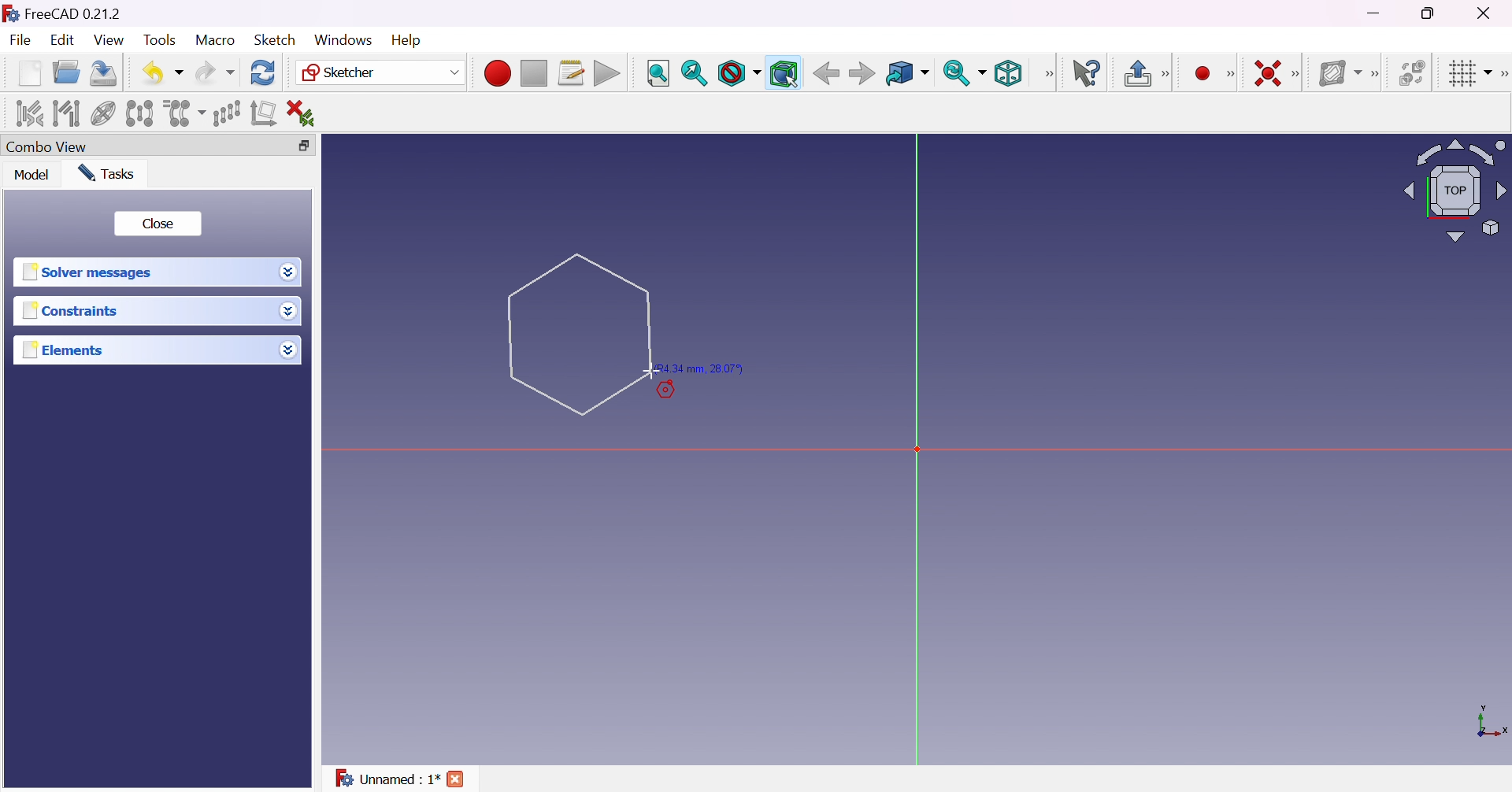  I want to click on Close, so click(457, 781).